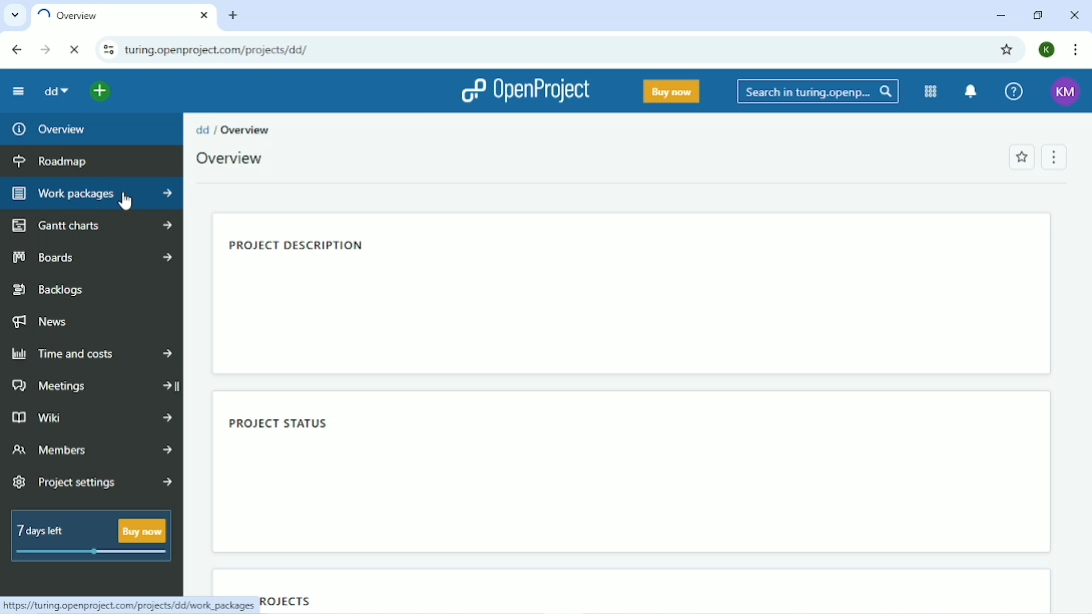 The image size is (1092, 614). What do you see at coordinates (201, 129) in the screenshot?
I see `dd` at bounding box center [201, 129].